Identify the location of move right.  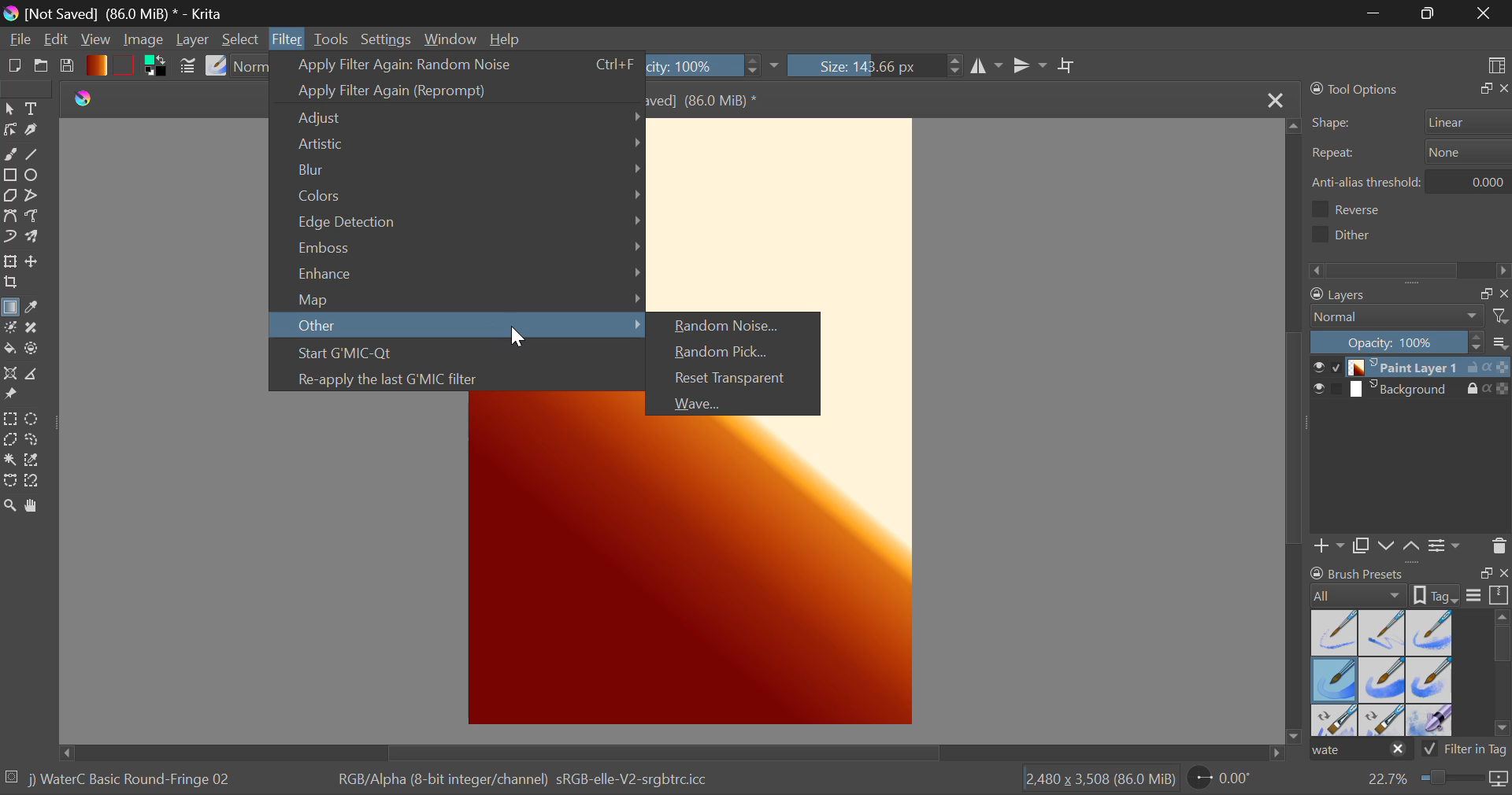
(1276, 753).